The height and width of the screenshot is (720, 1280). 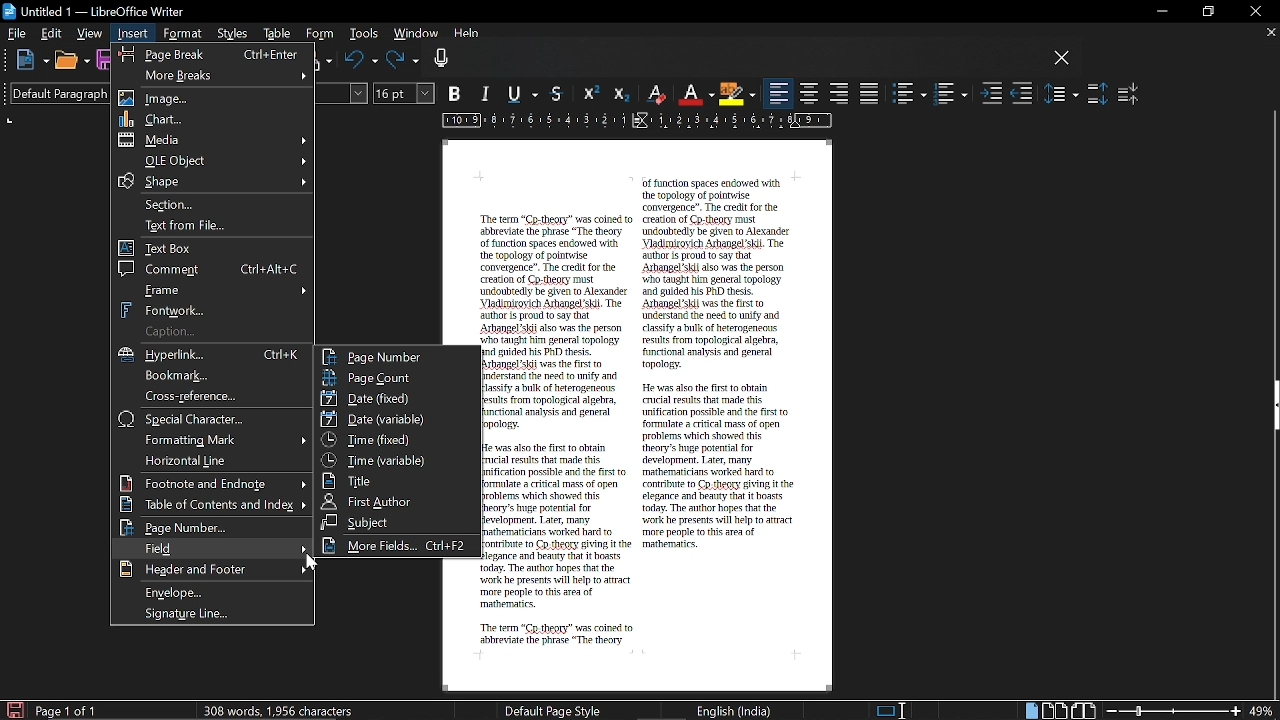 I want to click on bookmark, so click(x=214, y=376).